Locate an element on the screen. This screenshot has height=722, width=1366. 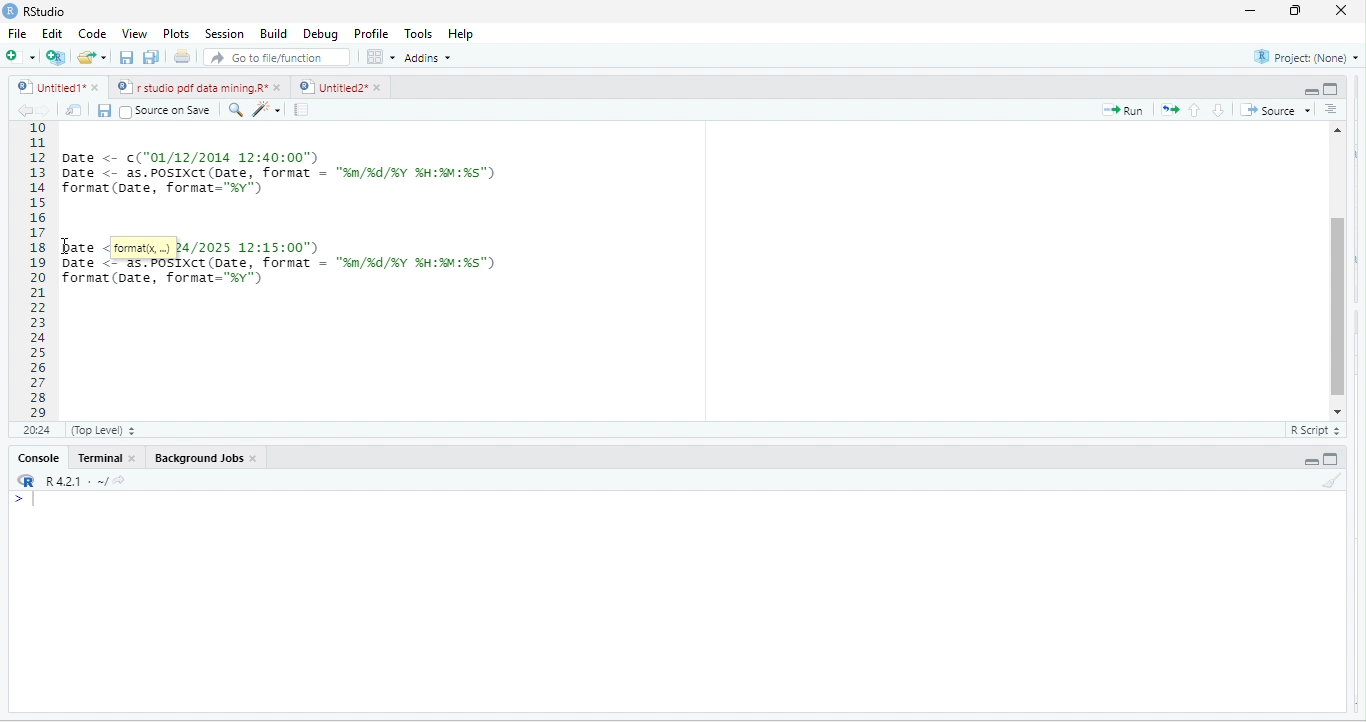
Console is located at coordinates (38, 459).